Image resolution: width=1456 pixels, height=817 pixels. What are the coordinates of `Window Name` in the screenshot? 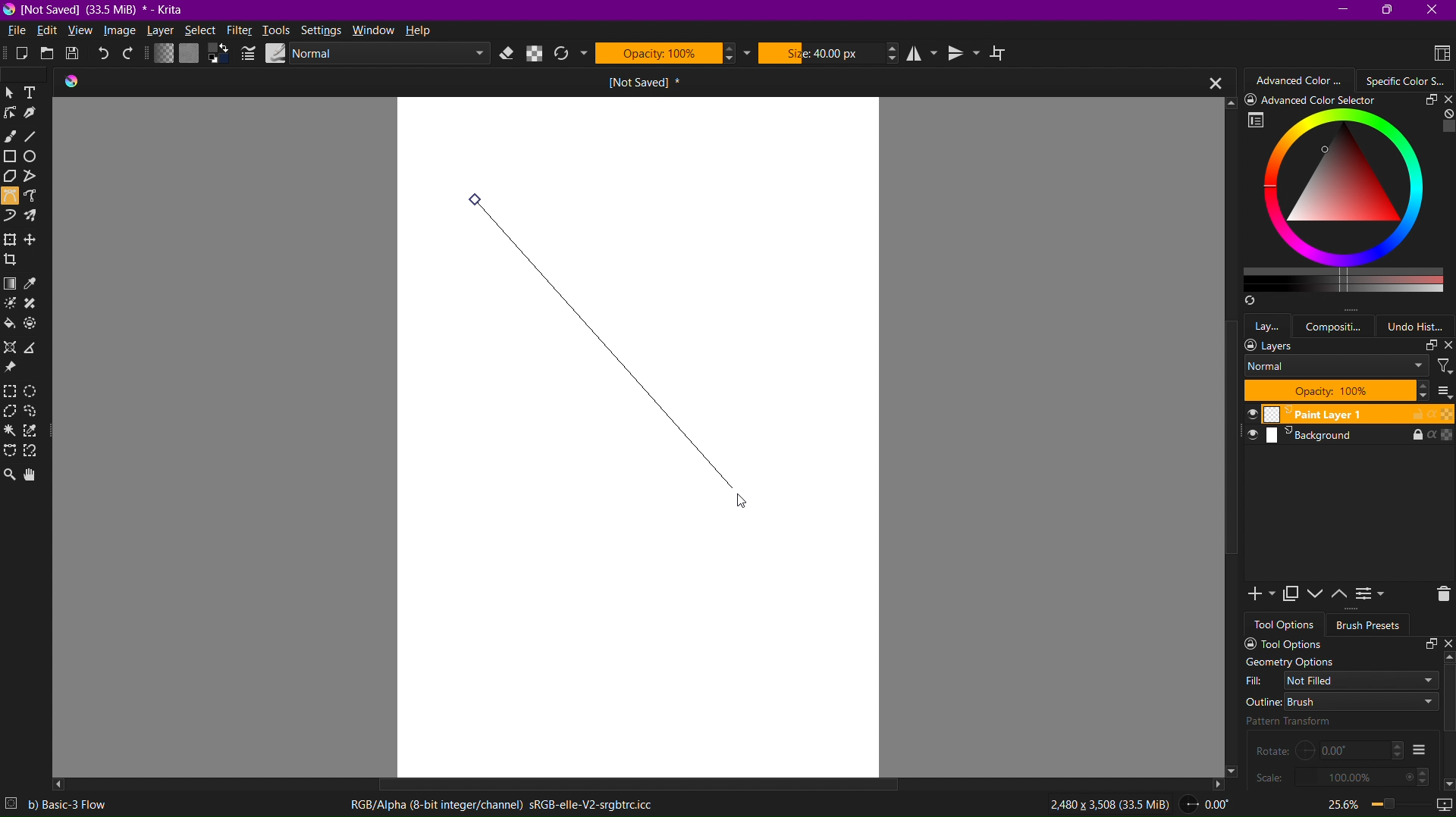 It's located at (99, 10).